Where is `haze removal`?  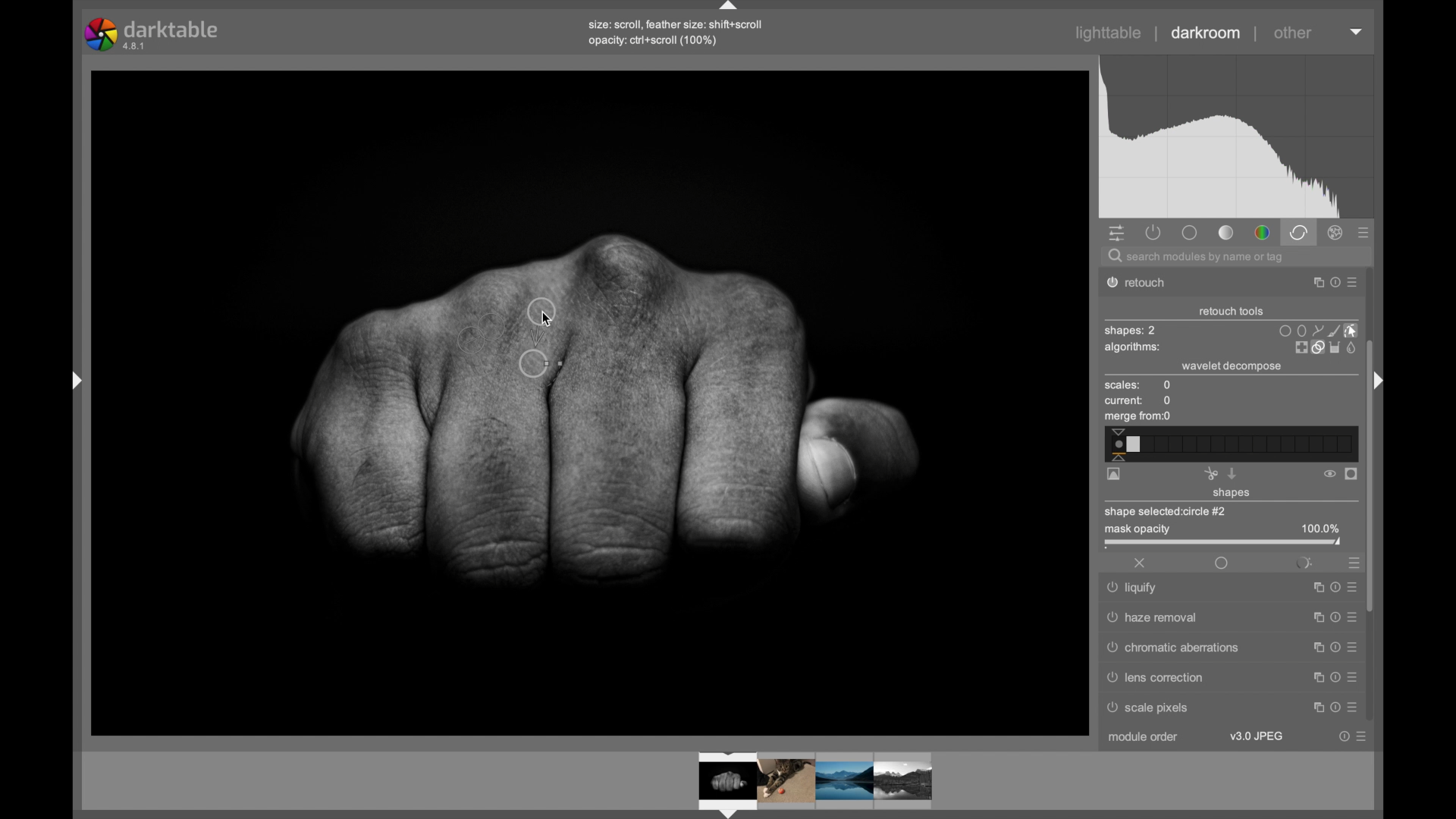
haze removal is located at coordinates (1153, 617).